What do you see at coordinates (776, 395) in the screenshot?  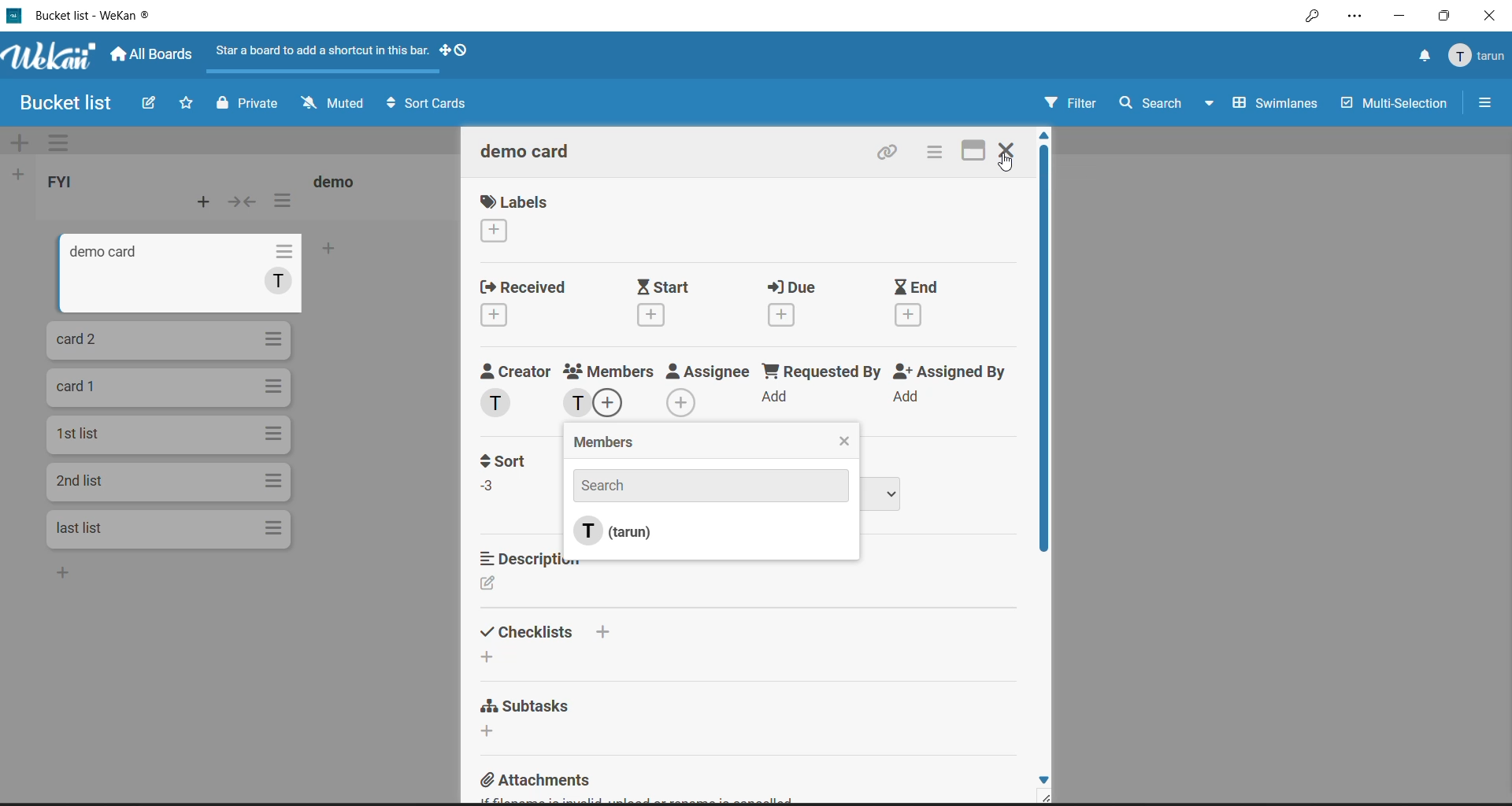 I see `add` at bounding box center [776, 395].